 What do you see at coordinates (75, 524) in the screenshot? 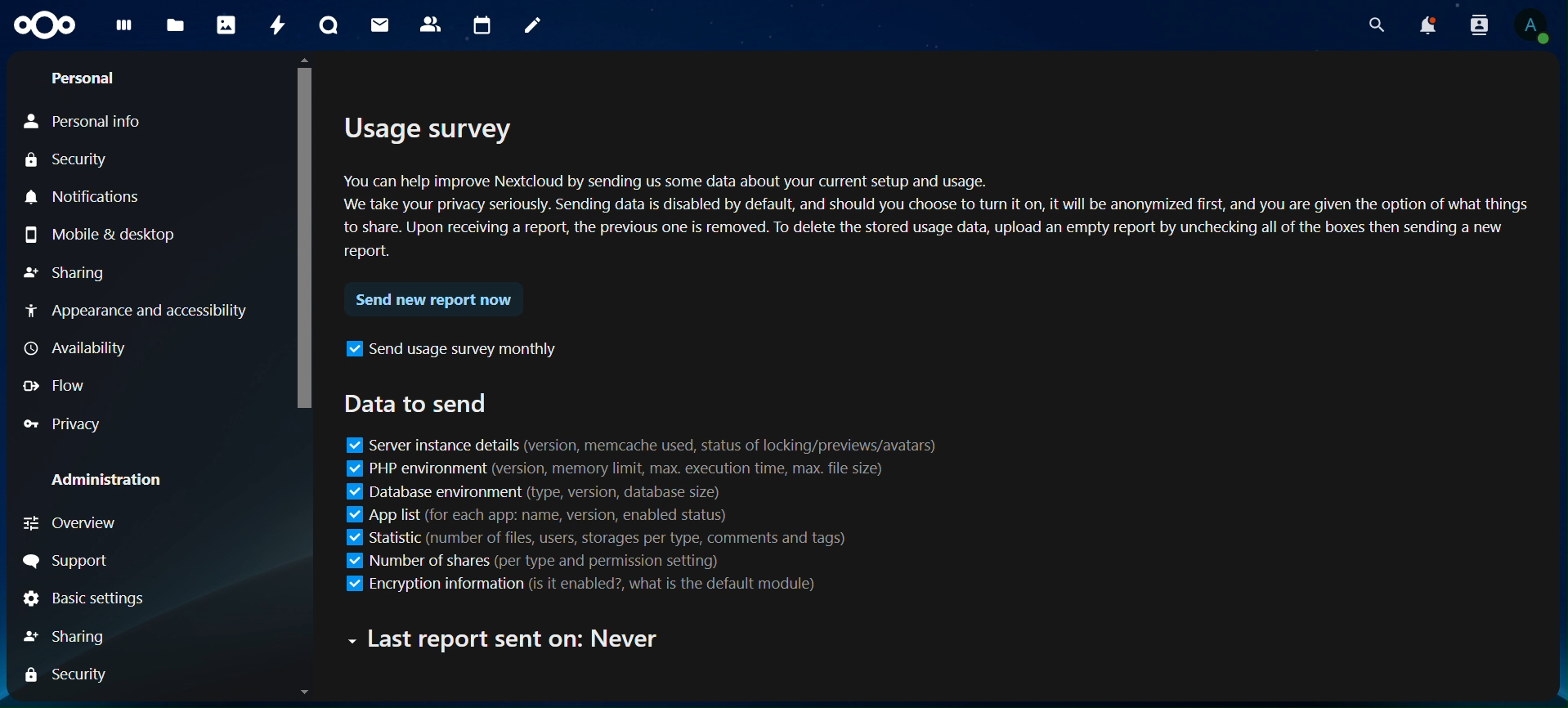
I see `Overview` at bounding box center [75, 524].